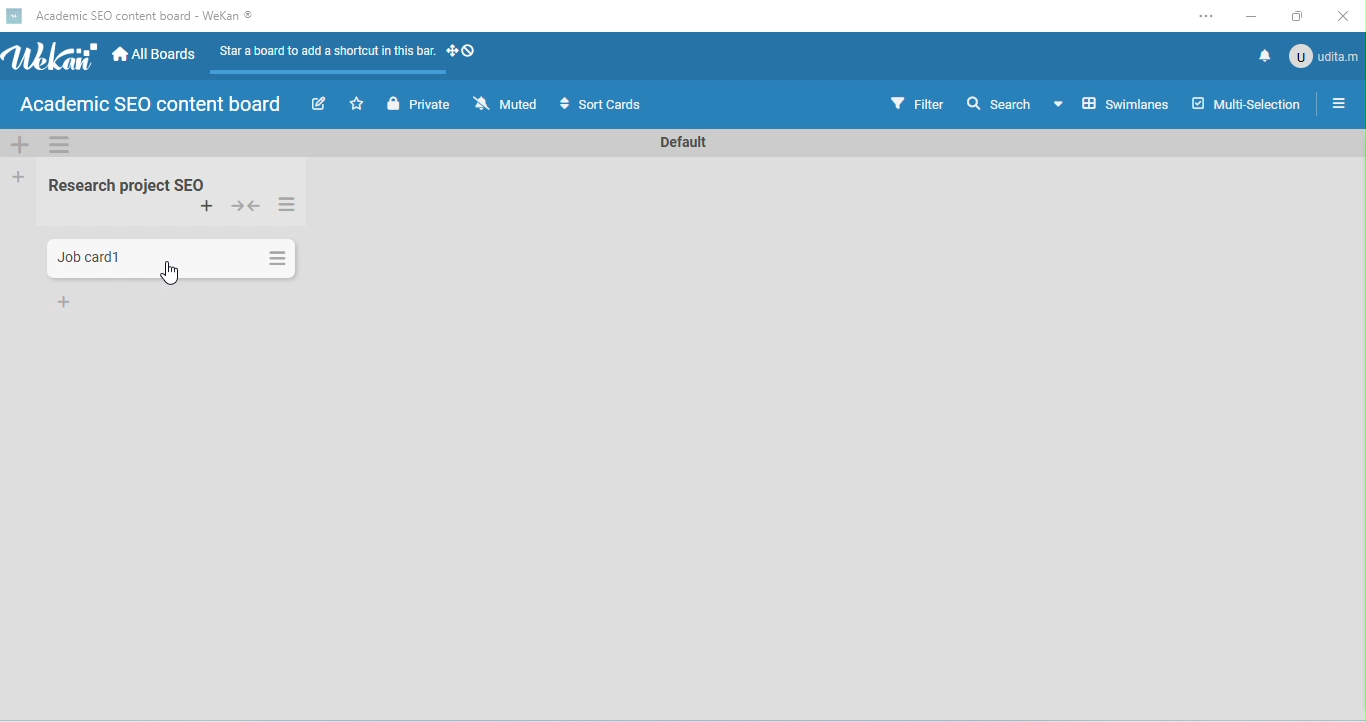 This screenshot has height=722, width=1366. Describe the element at coordinates (323, 57) in the screenshot. I see `star a board to add a shortcut in this bar` at that location.